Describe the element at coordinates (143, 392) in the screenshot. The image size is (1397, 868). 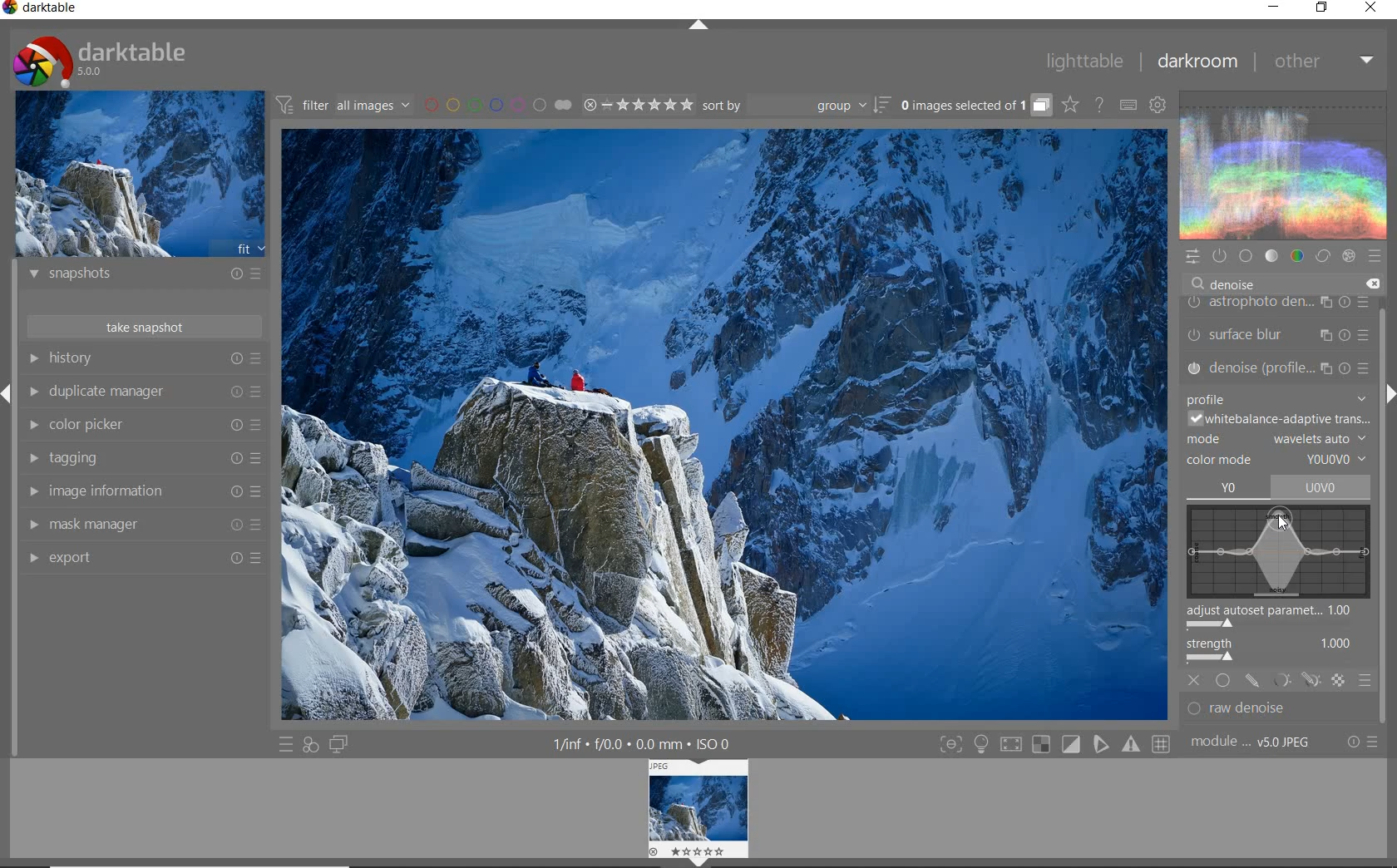
I see `duplicate manager` at that location.